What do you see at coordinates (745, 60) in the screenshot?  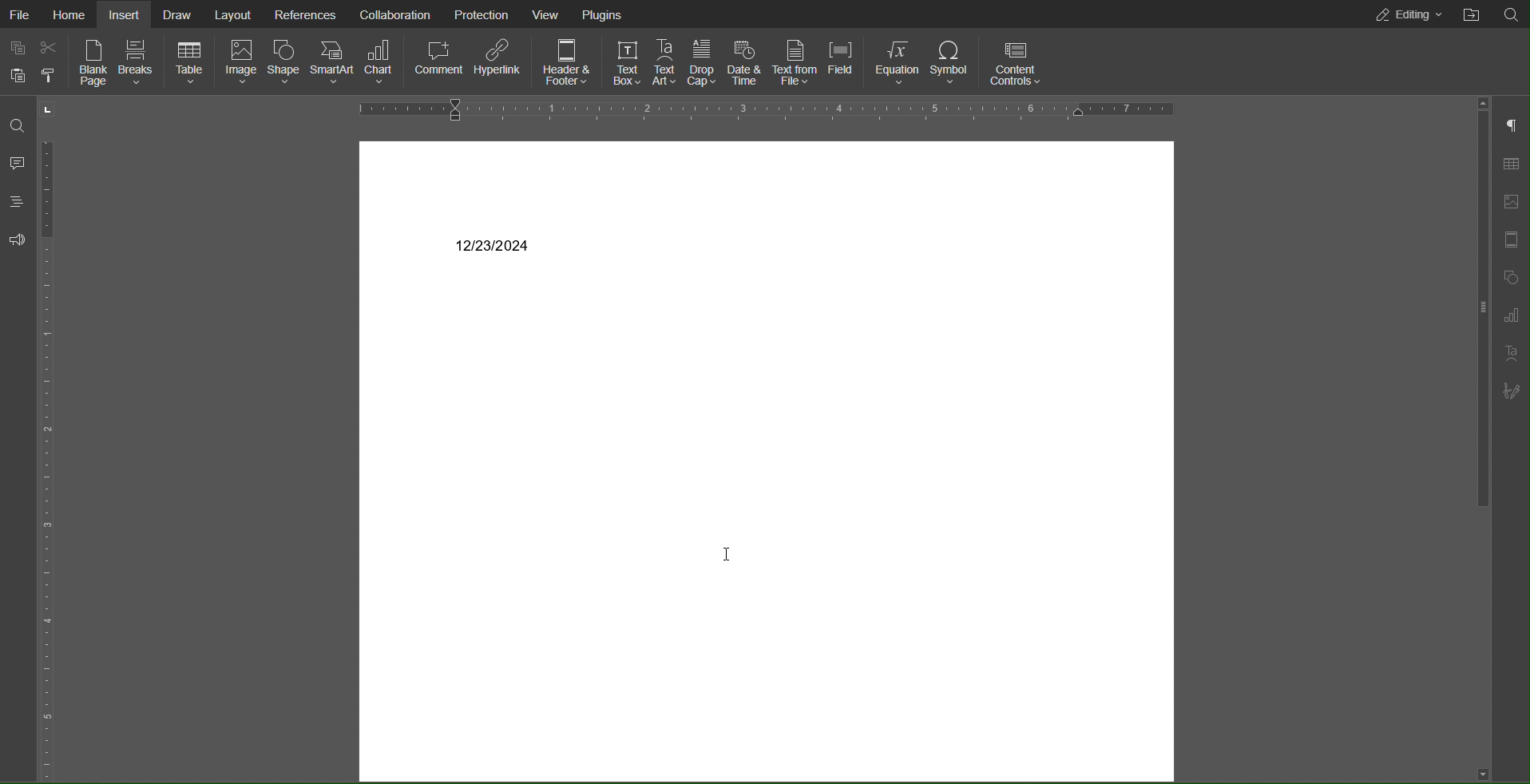 I see `Date & Time` at bounding box center [745, 60].